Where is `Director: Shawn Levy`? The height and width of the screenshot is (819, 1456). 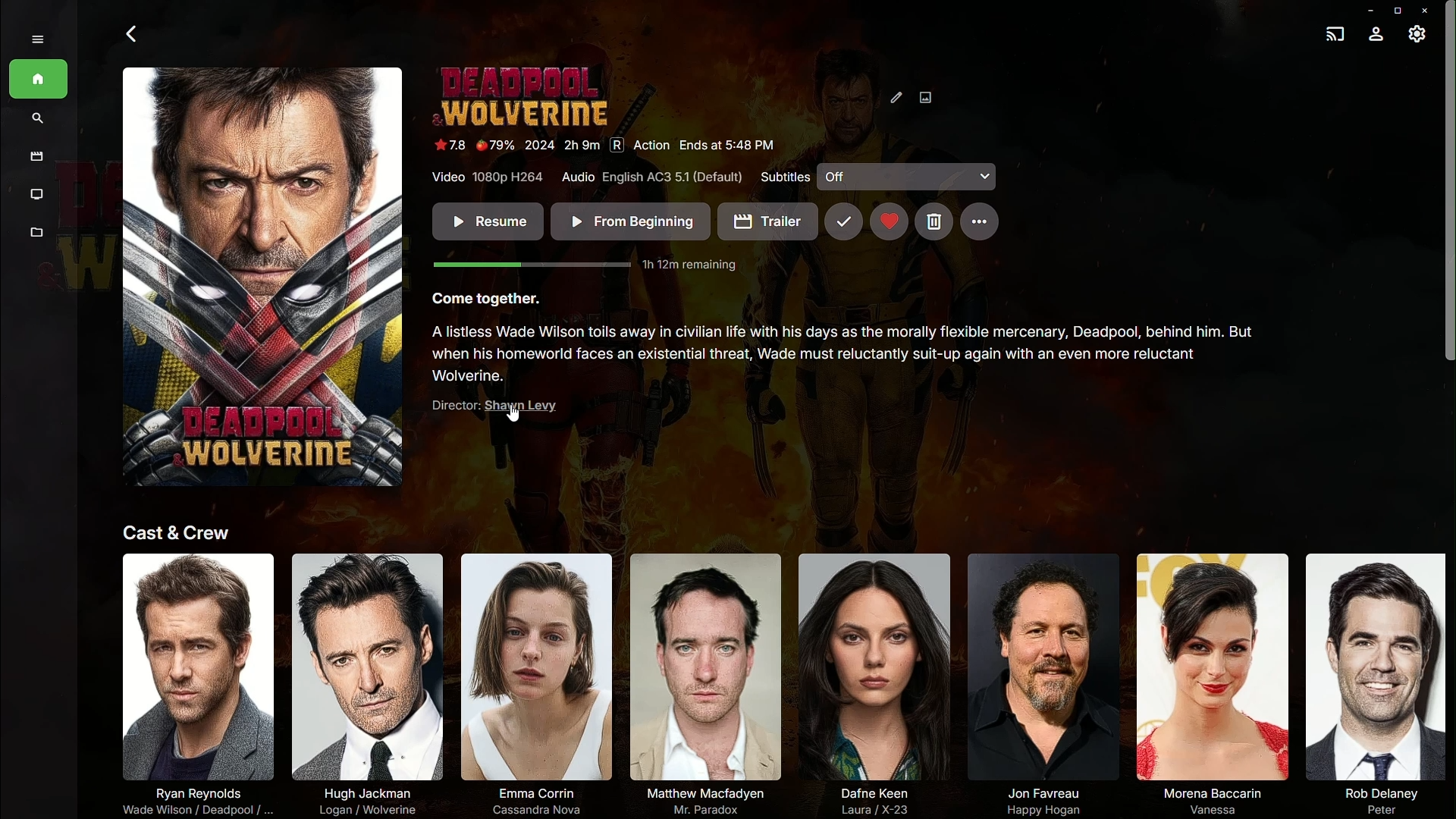
Director: Shawn Levy is located at coordinates (466, 407).